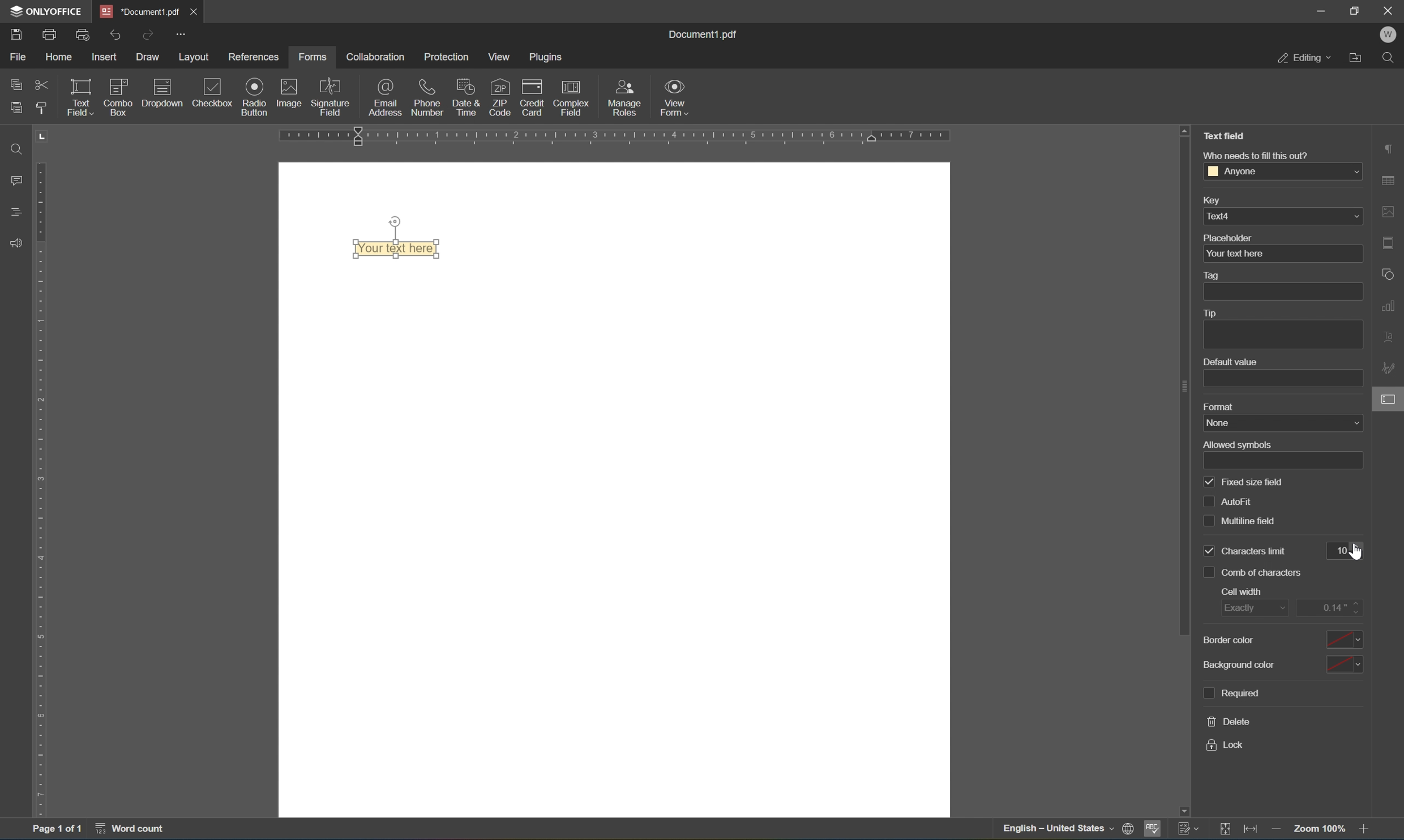 This screenshot has width=1404, height=840. I want to click on insert, so click(103, 57).